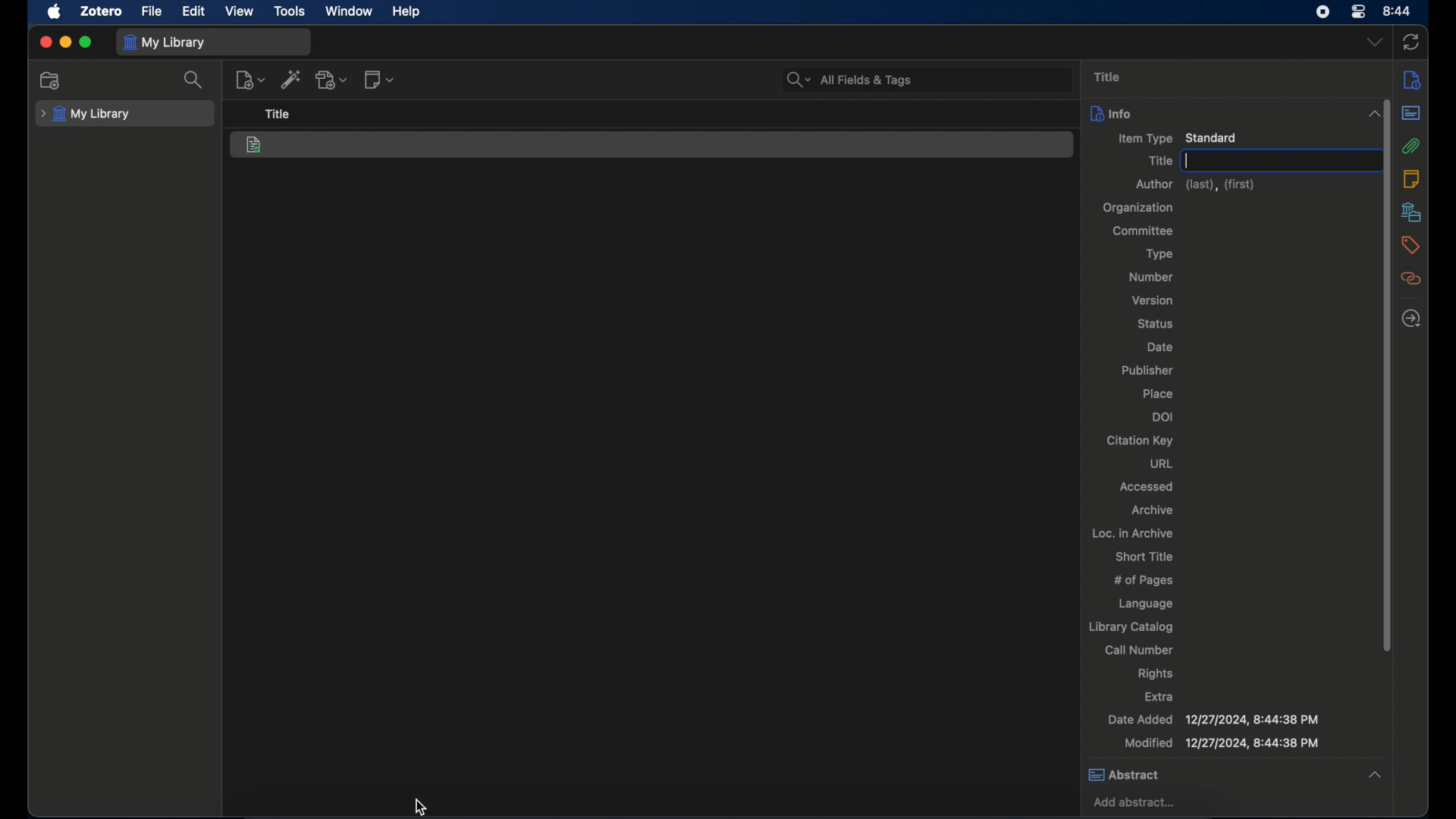 This screenshot has height=819, width=1456. Describe the element at coordinates (347, 11) in the screenshot. I see `window` at that location.